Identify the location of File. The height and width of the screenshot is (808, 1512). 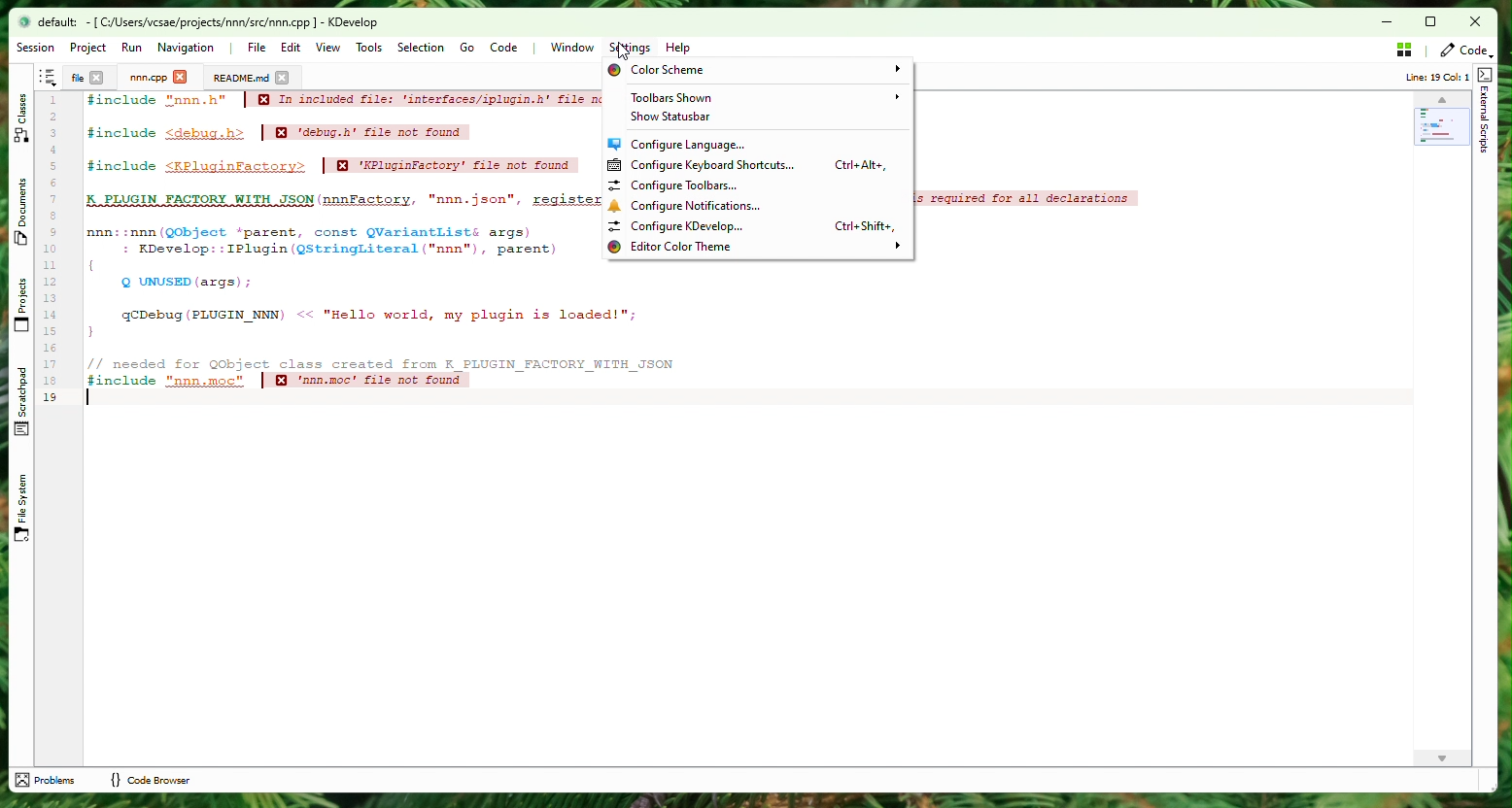
(75, 77).